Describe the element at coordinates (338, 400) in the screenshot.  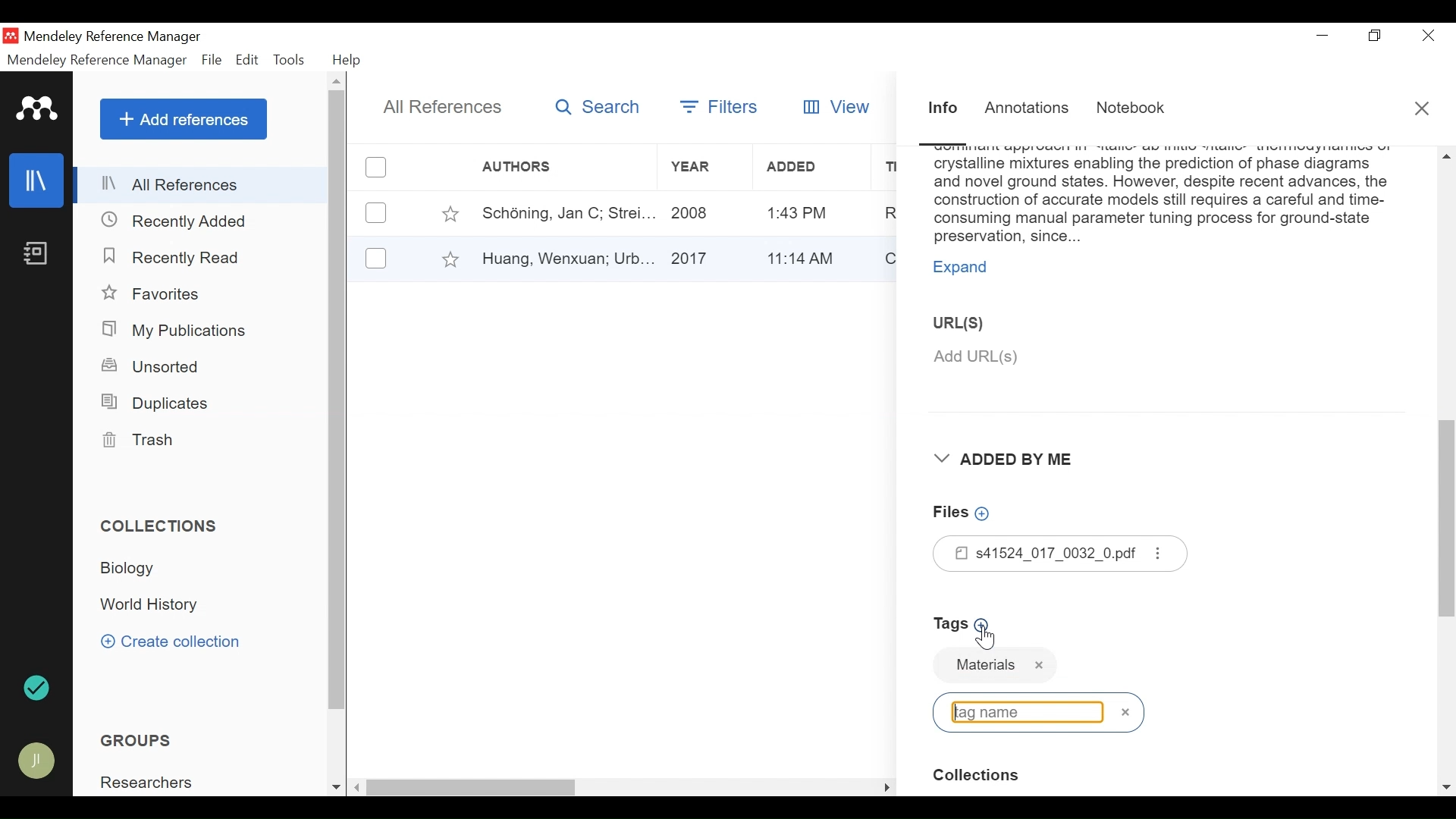
I see `Vertical Scroll bar` at that location.